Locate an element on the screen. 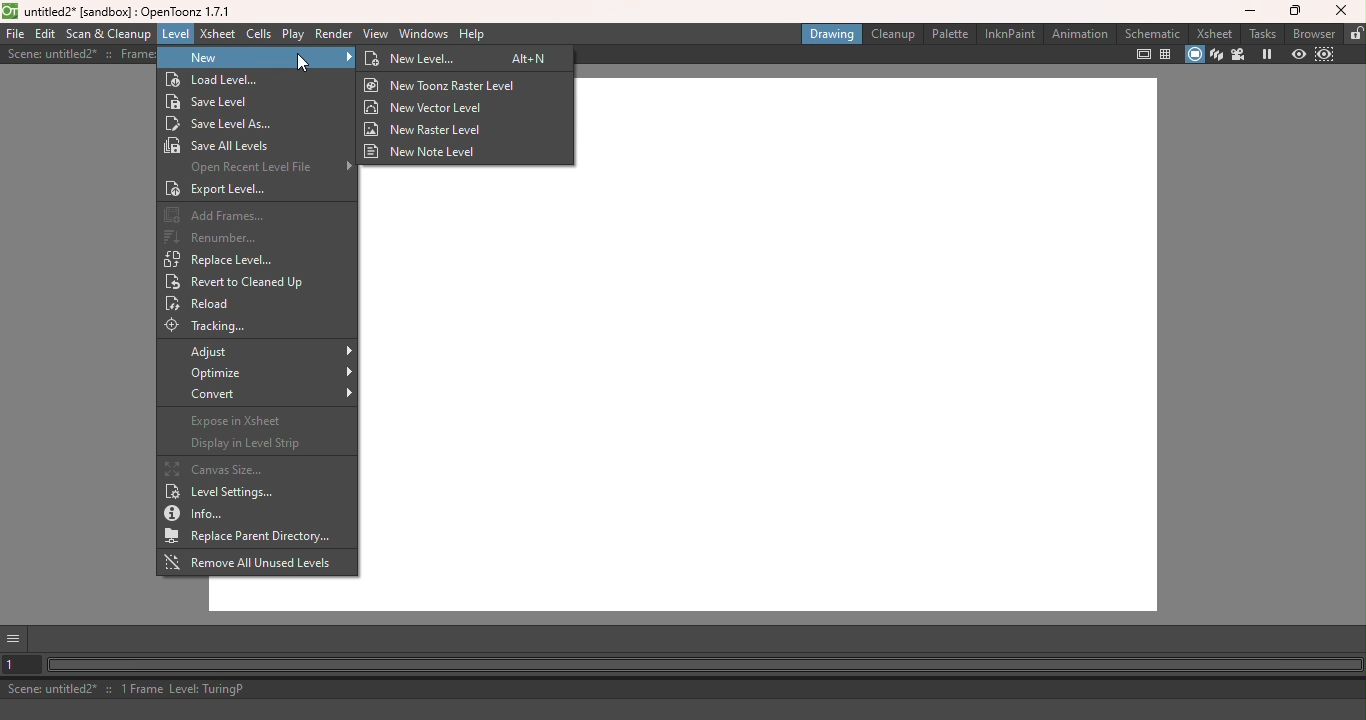 This screenshot has height=720, width=1366. Tasks is located at coordinates (1263, 33).